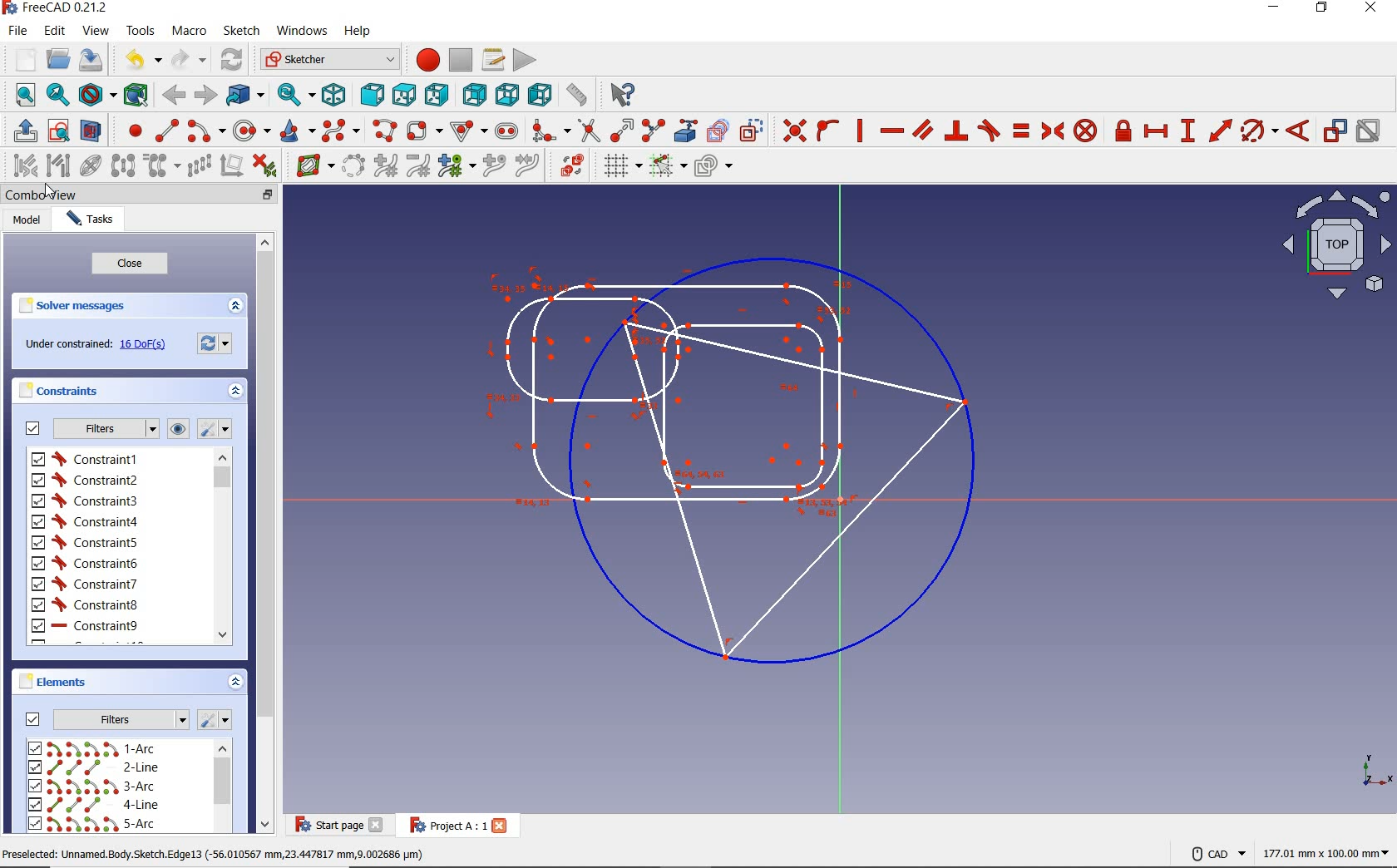 This screenshot has height=868, width=1397. What do you see at coordinates (237, 390) in the screenshot?
I see `expand` at bounding box center [237, 390].